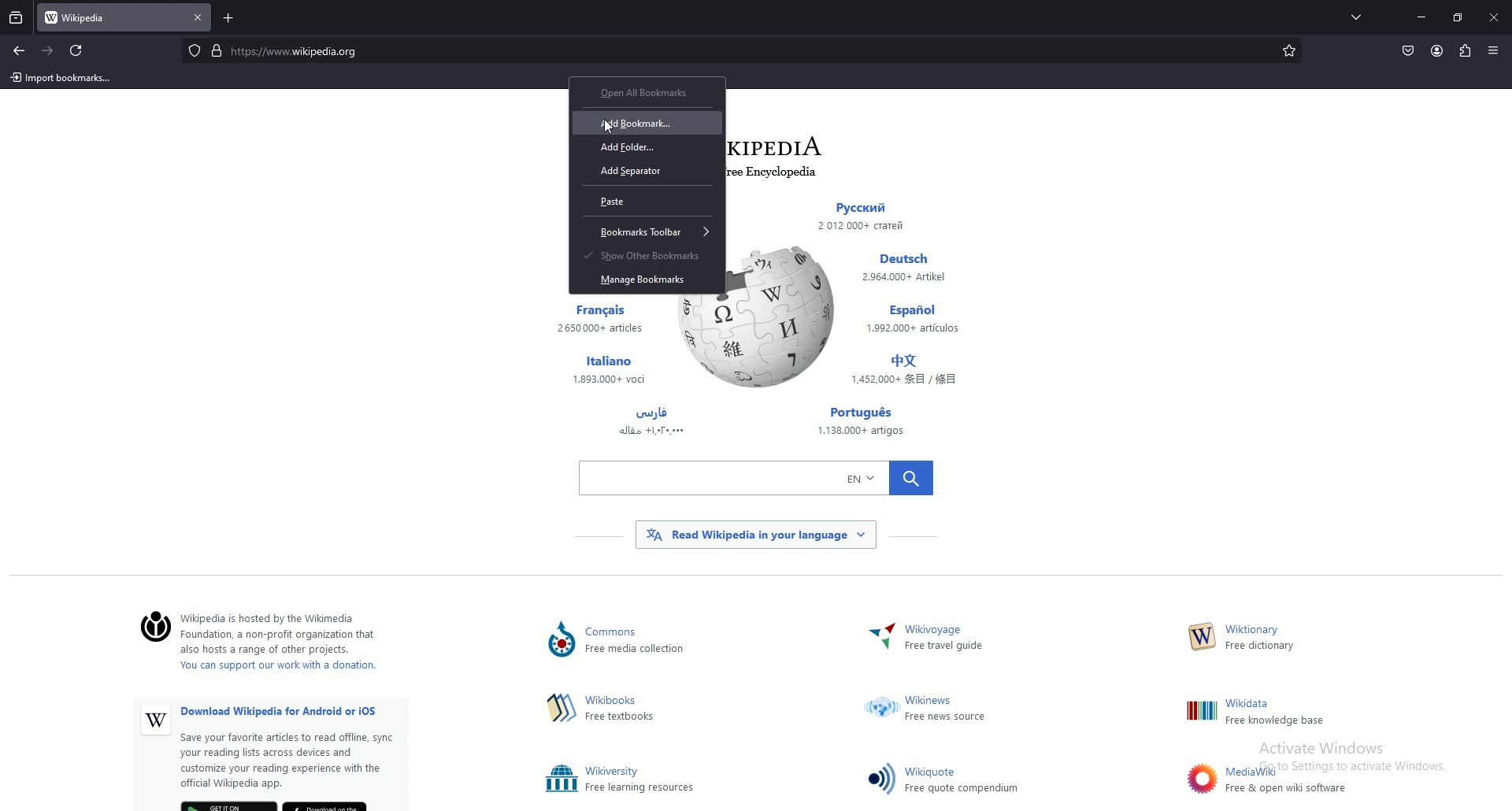 Image resolution: width=1512 pixels, height=811 pixels. Describe the element at coordinates (915, 369) in the screenshot. I see `` at that location.